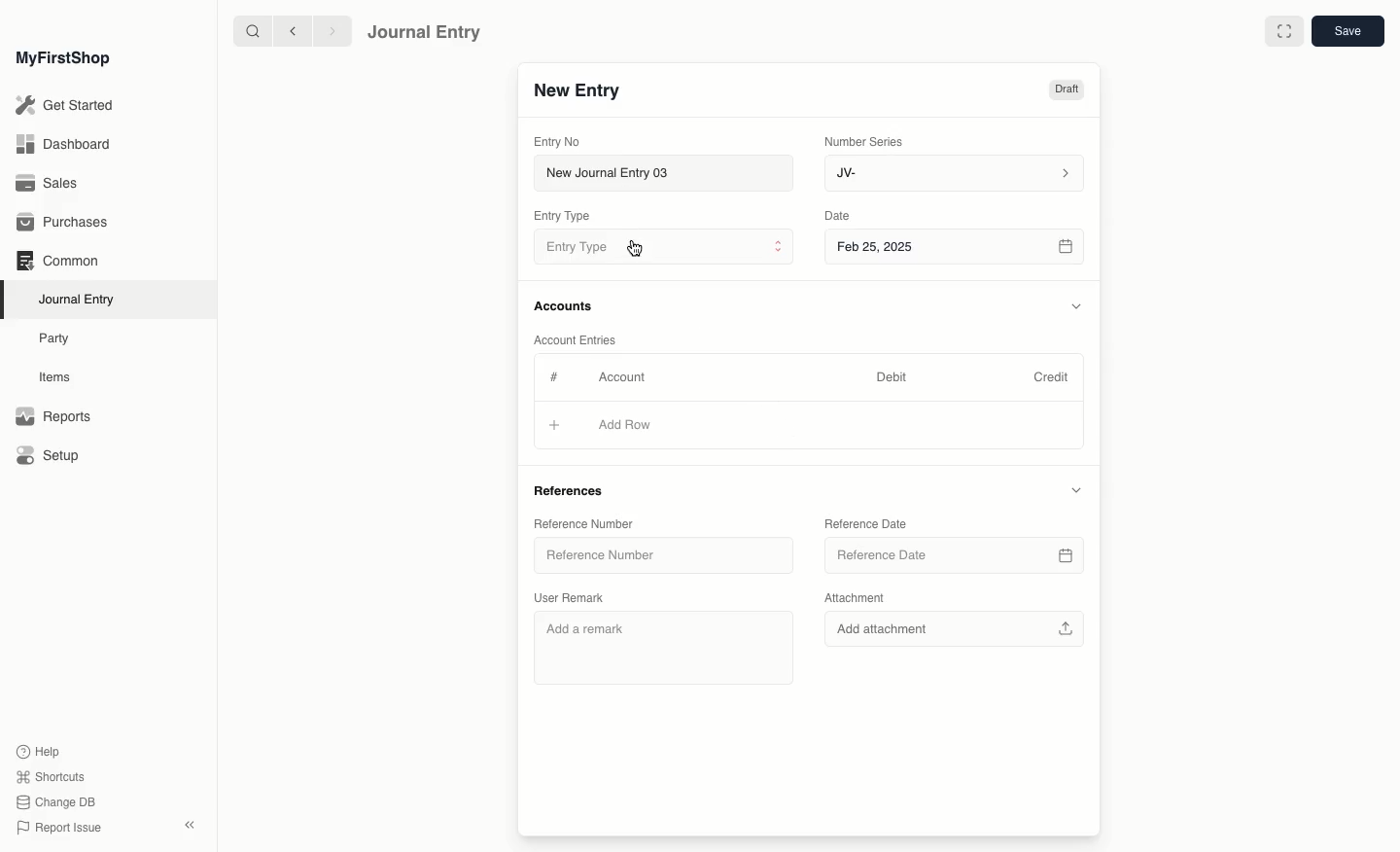  Describe the element at coordinates (50, 457) in the screenshot. I see `Setup` at that location.